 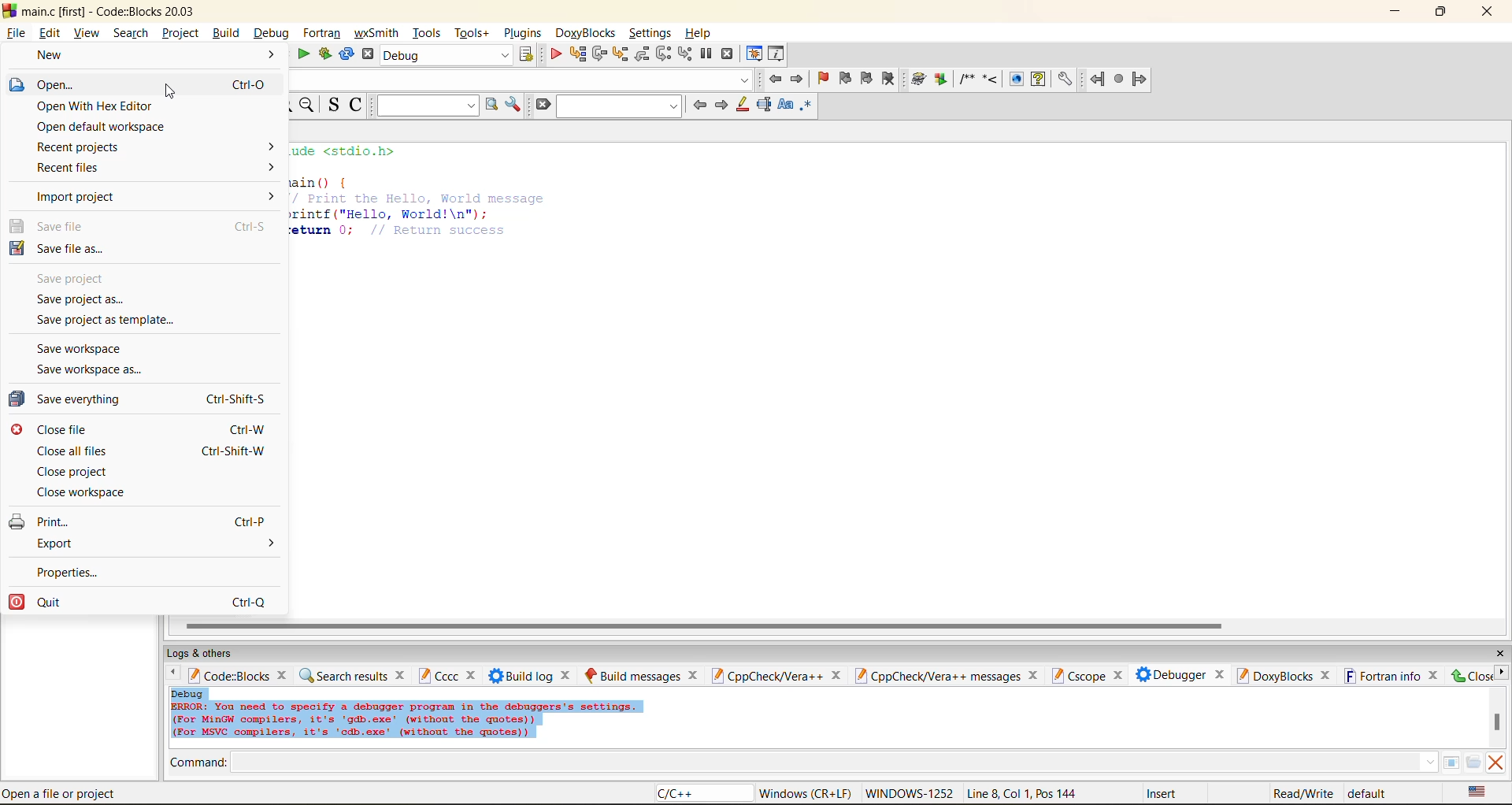 What do you see at coordinates (154, 169) in the screenshot?
I see `recent files` at bounding box center [154, 169].